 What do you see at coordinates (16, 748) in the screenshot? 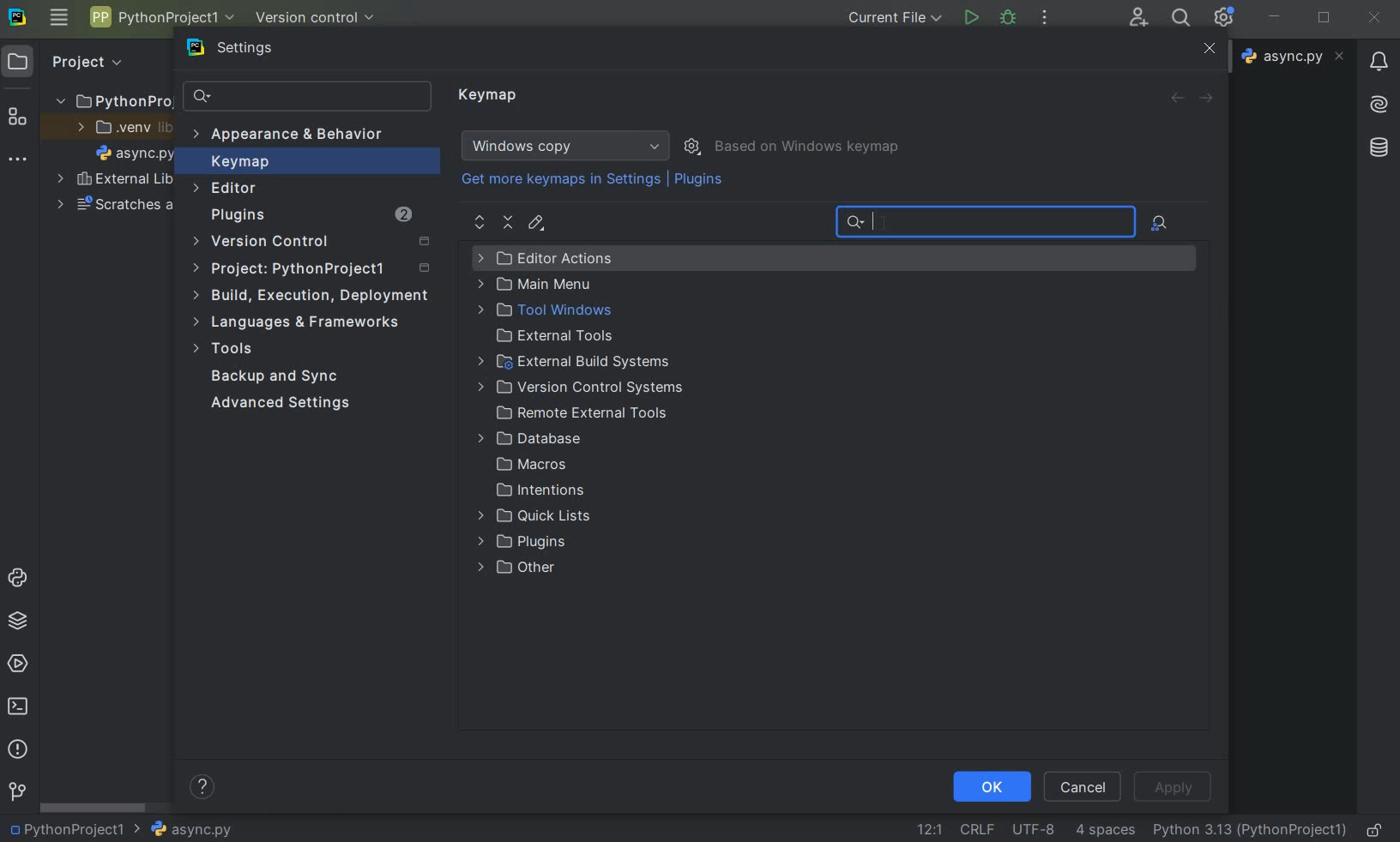
I see `problems` at bounding box center [16, 748].